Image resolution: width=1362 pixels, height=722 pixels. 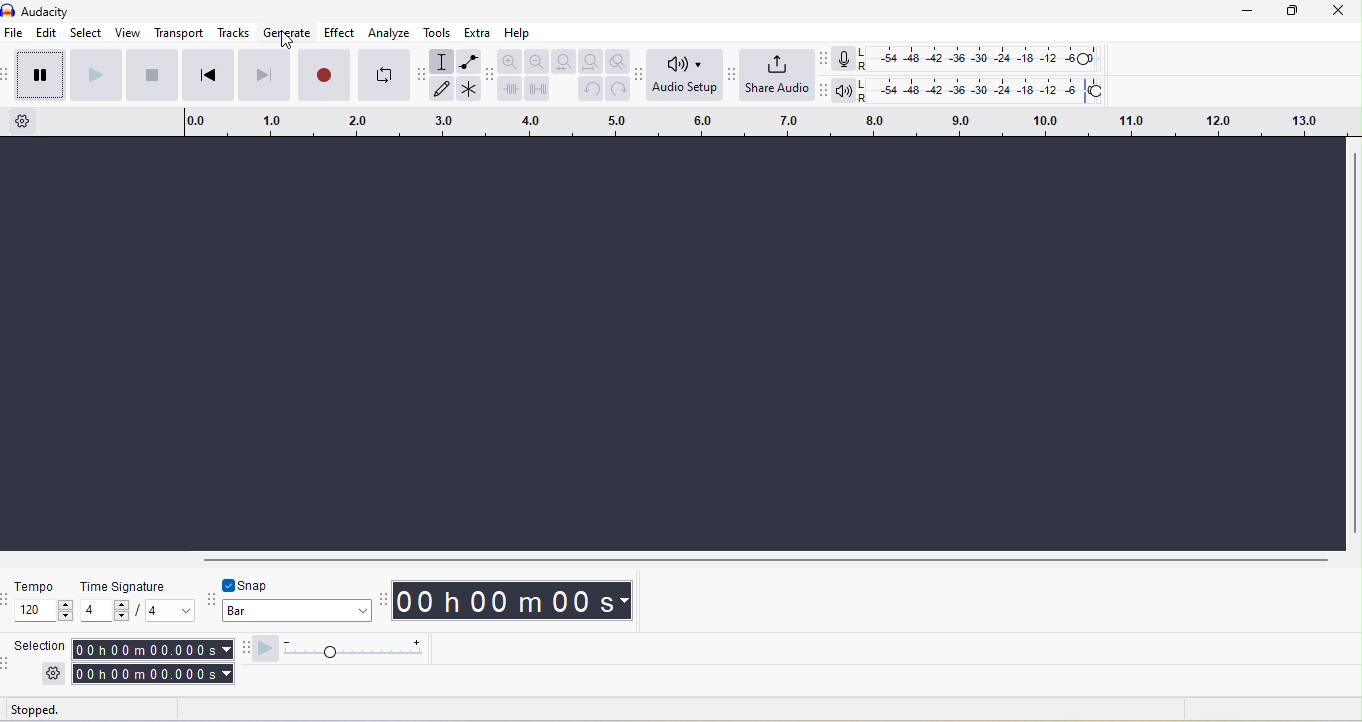 I want to click on view, so click(x=126, y=32).